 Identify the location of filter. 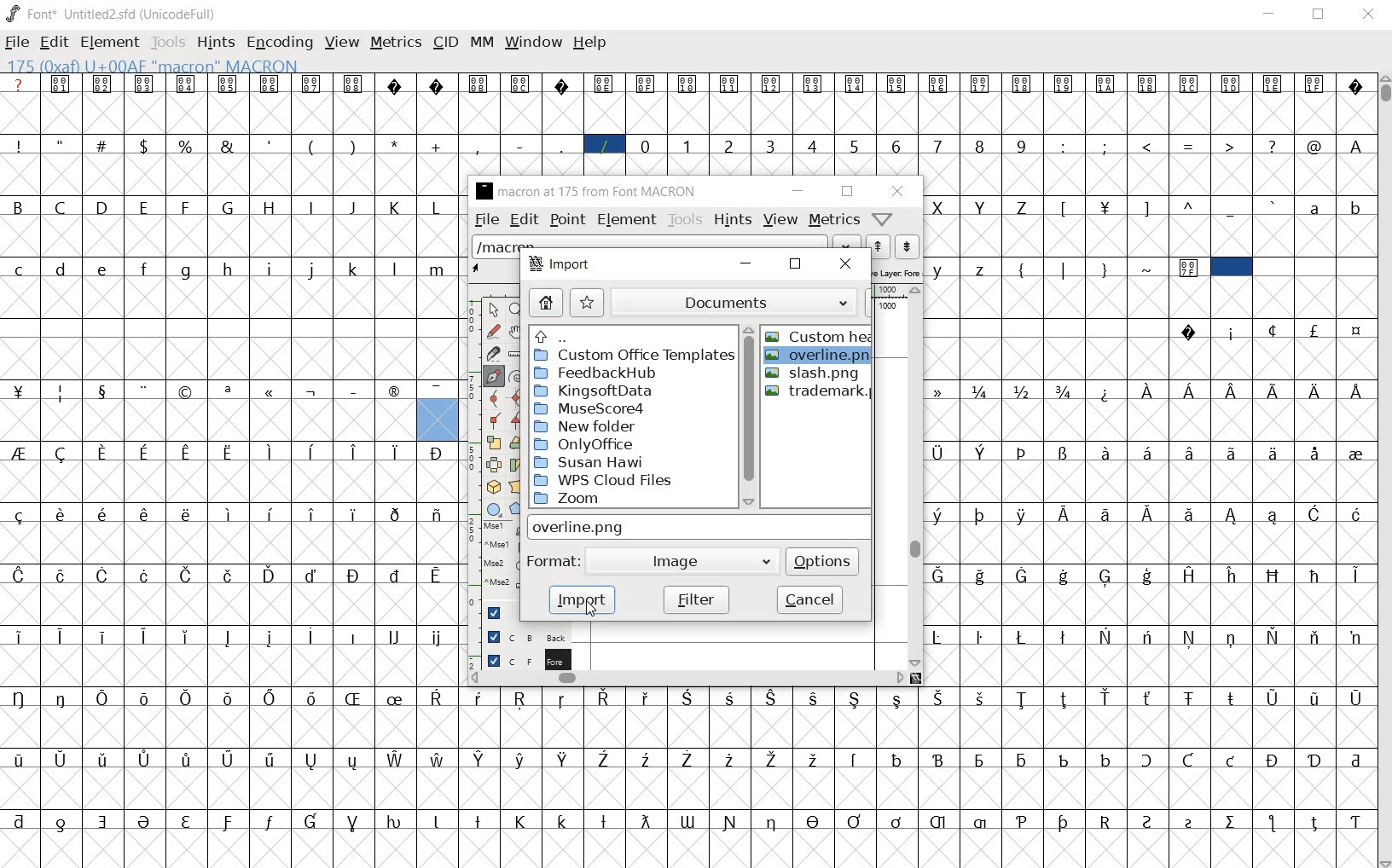
(696, 599).